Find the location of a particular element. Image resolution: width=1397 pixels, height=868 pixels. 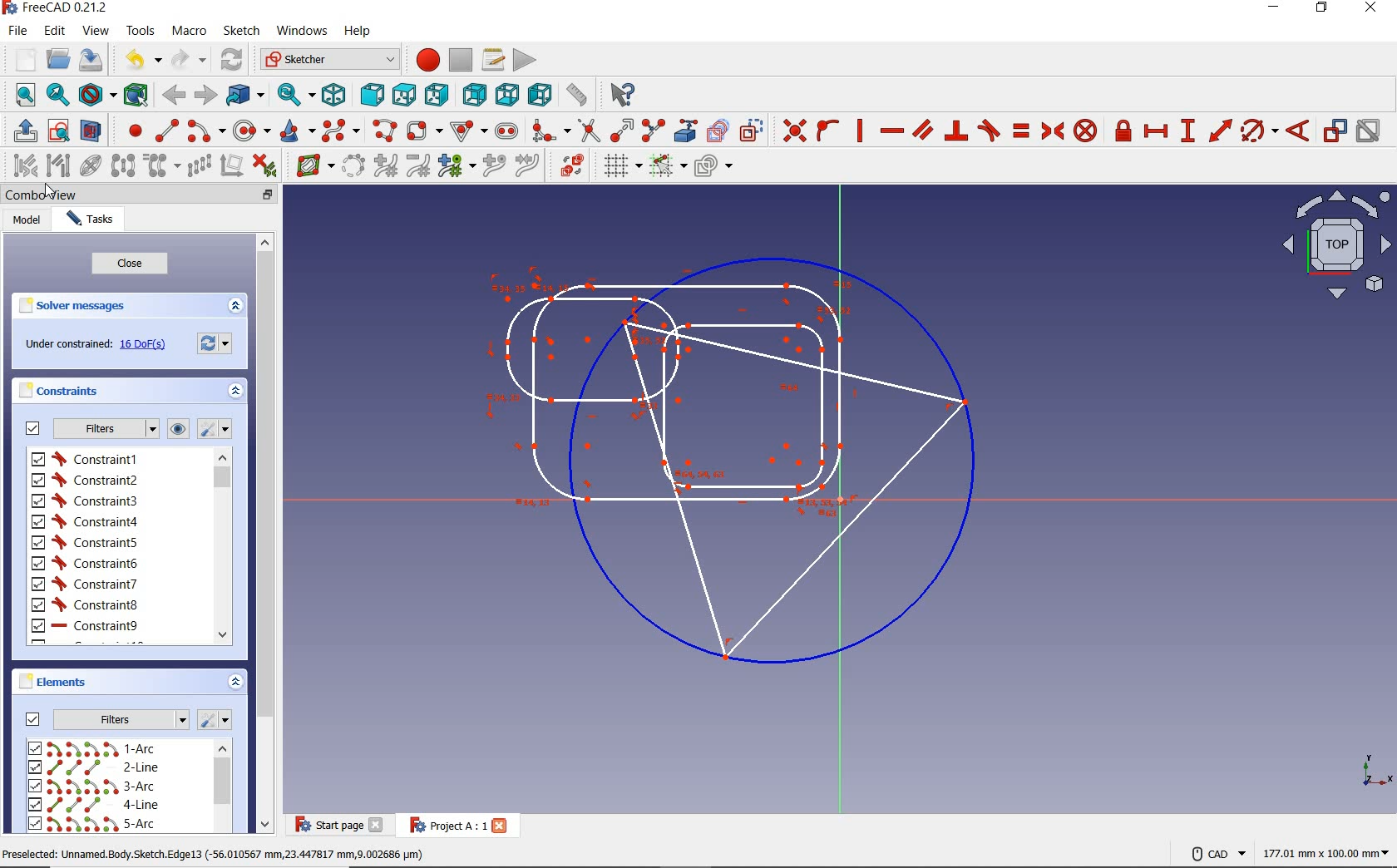

solver messages is located at coordinates (102, 306).